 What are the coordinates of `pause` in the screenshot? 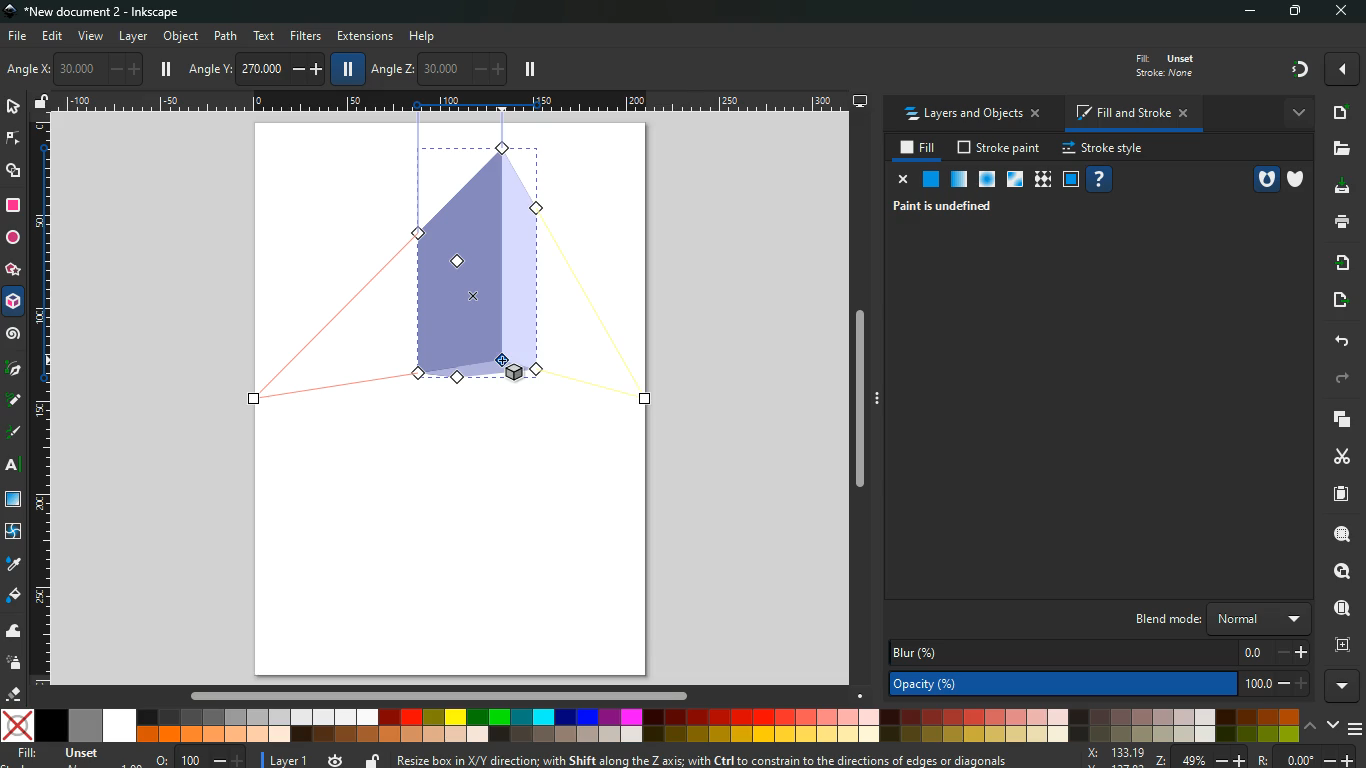 It's located at (345, 68).